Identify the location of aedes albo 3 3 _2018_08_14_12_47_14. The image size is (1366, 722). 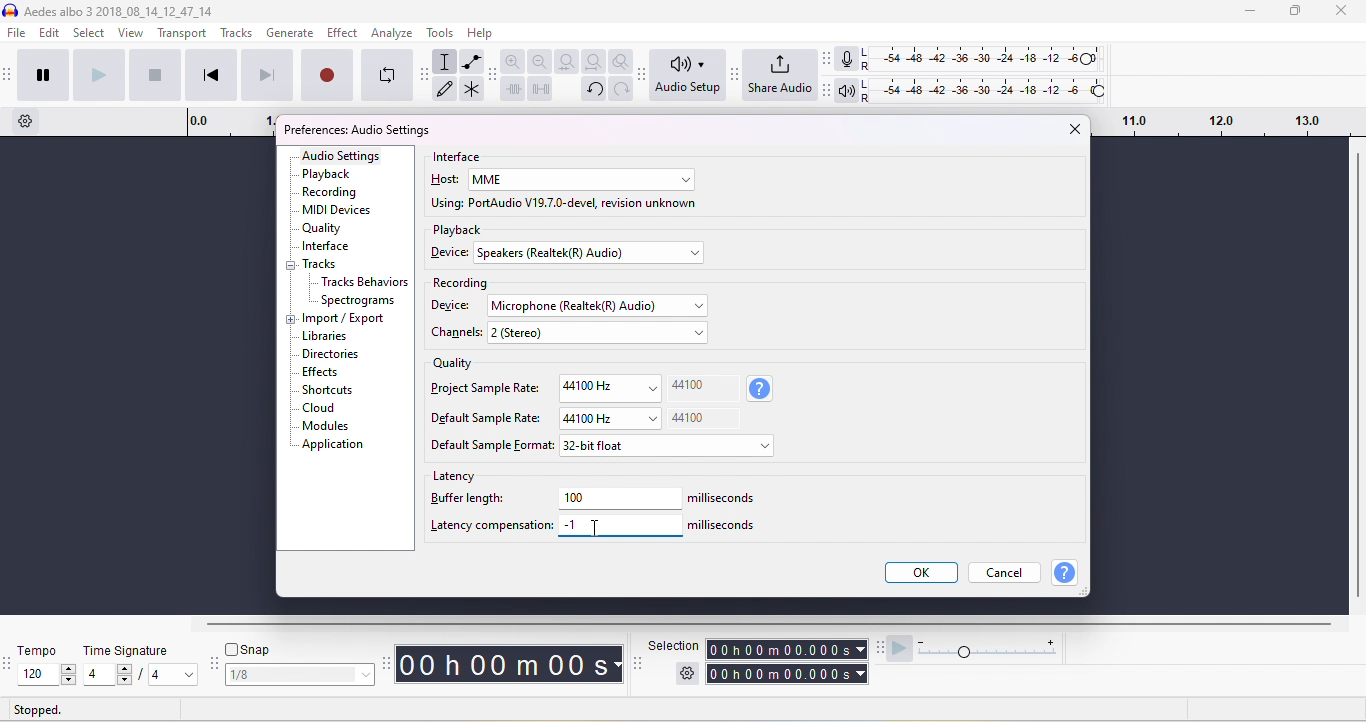
(109, 11).